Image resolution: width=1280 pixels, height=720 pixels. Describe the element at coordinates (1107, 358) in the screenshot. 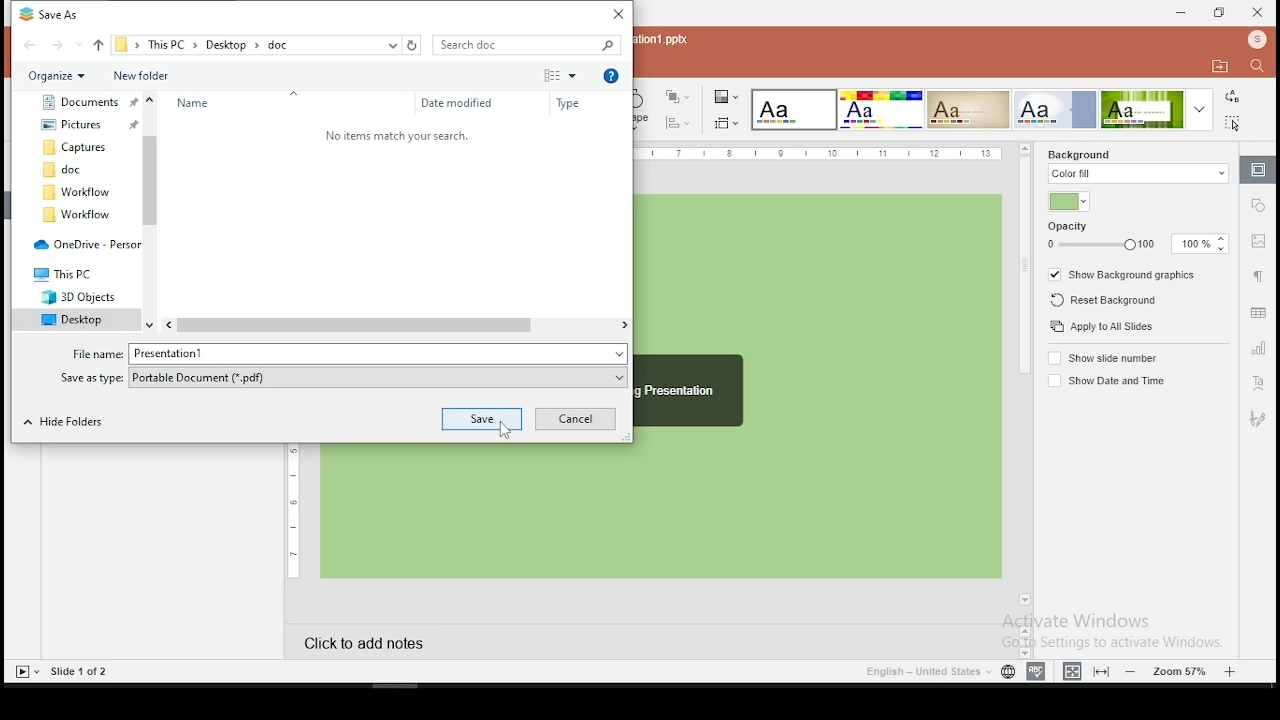

I see `show slide number` at that location.